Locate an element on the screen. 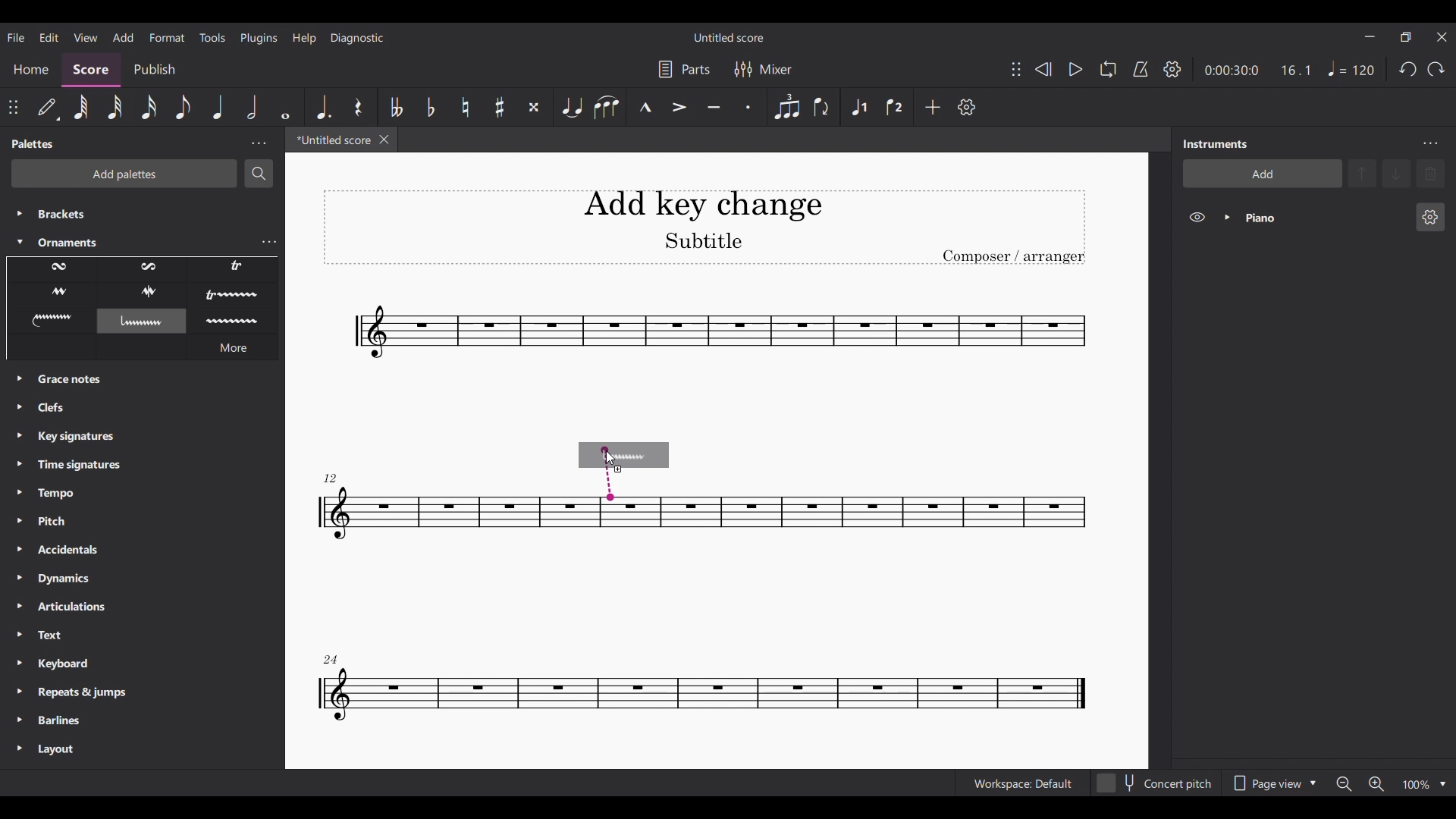 Image resolution: width=1456 pixels, height=819 pixels. Toggle sharp is located at coordinates (499, 108).